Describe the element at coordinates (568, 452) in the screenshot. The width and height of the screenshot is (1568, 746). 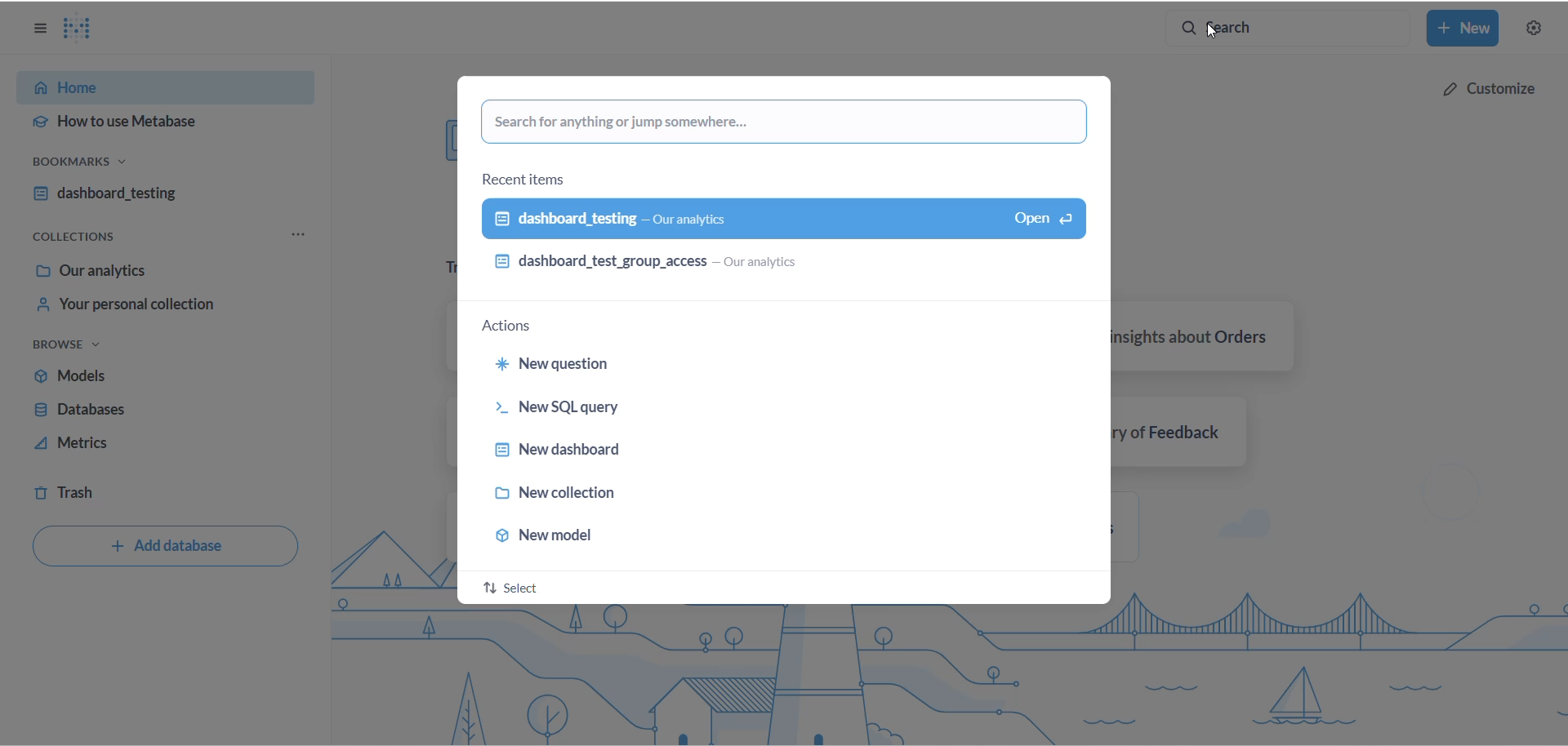
I see `new dashboard` at that location.